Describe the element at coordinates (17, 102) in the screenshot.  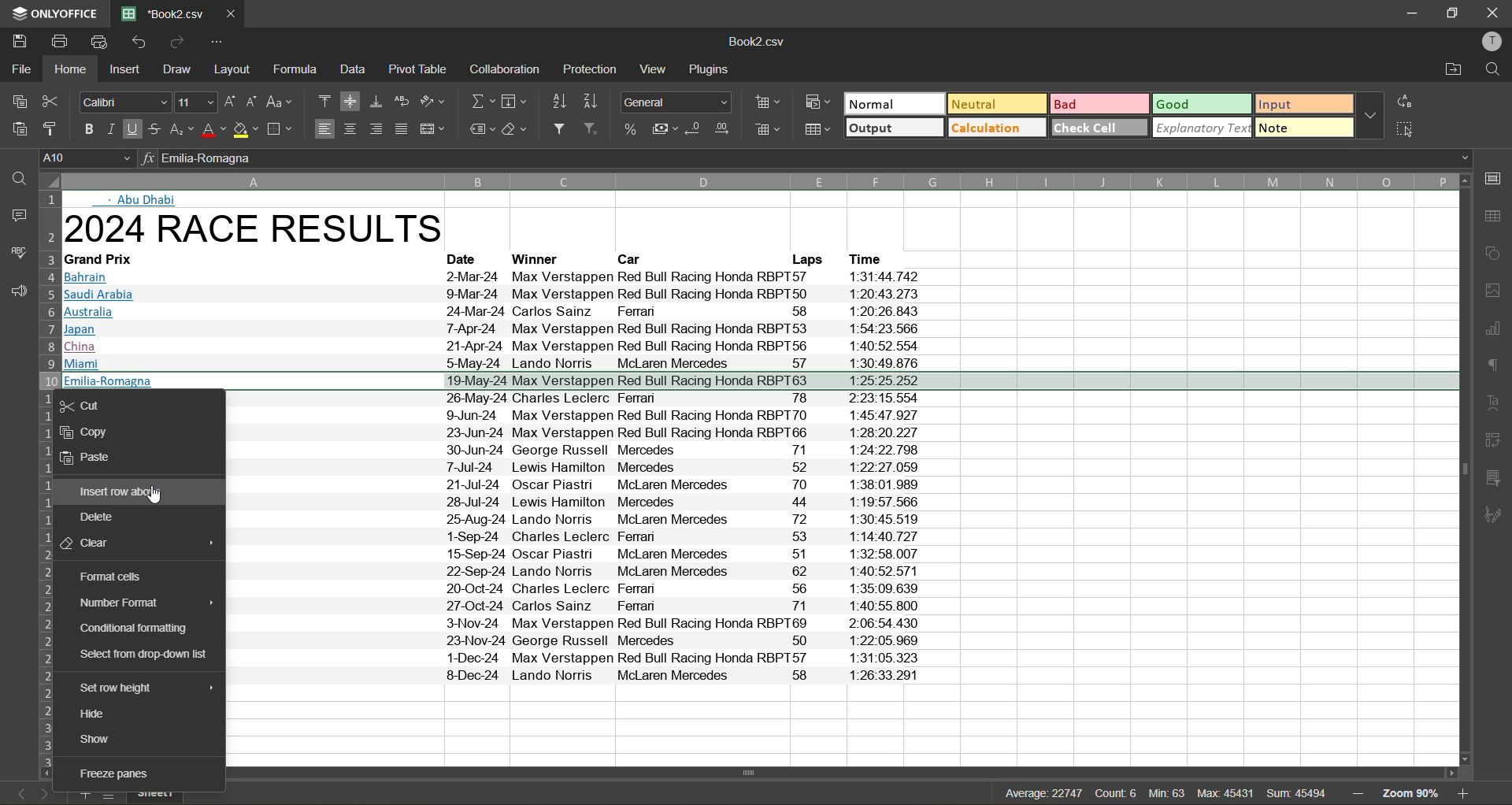
I see `copy` at that location.